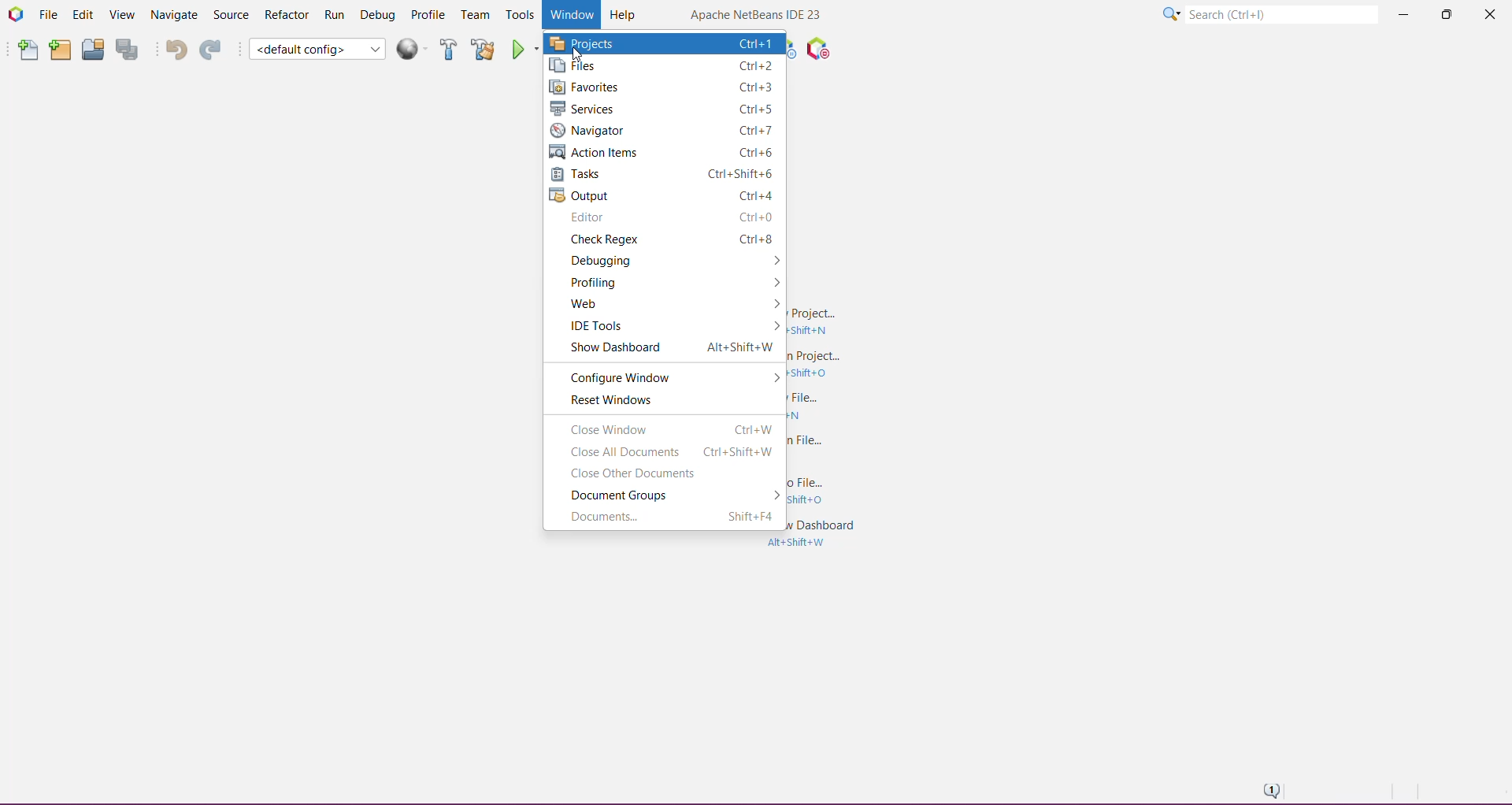  I want to click on Minimize, so click(1403, 16).